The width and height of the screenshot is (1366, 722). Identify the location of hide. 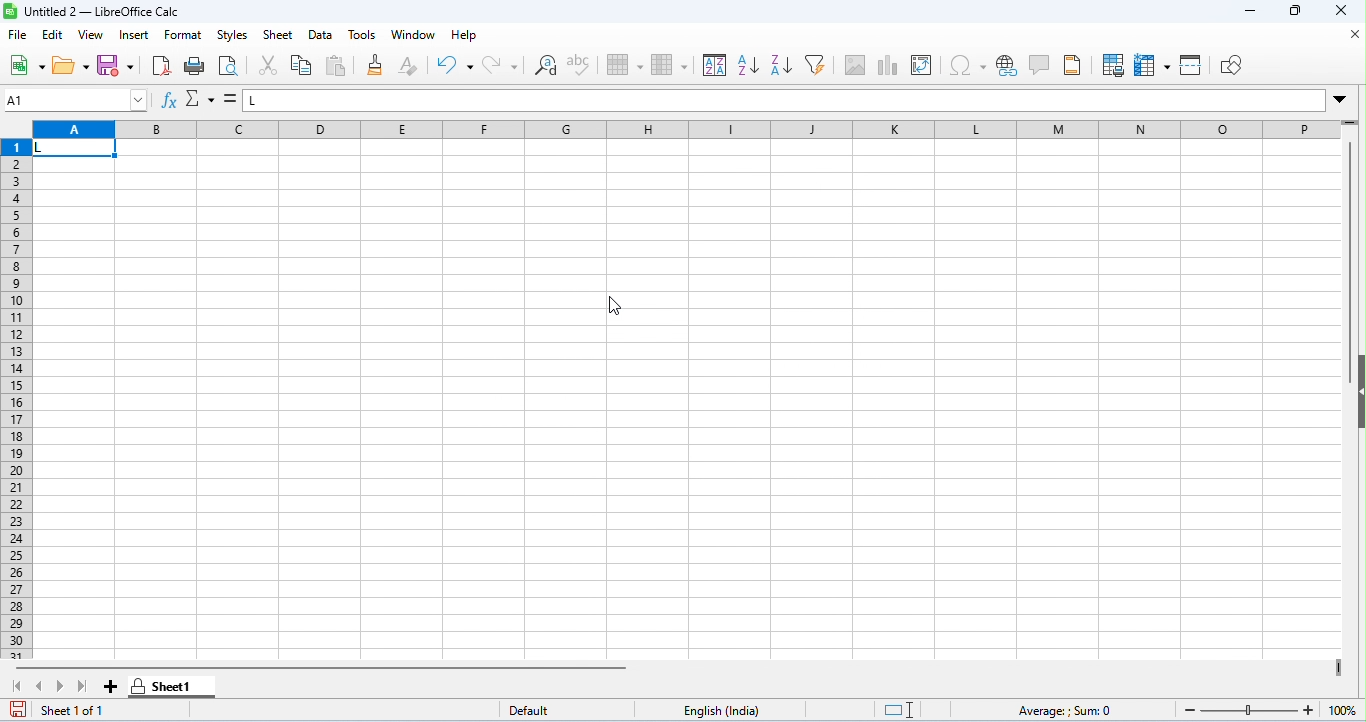
(1357, 392).